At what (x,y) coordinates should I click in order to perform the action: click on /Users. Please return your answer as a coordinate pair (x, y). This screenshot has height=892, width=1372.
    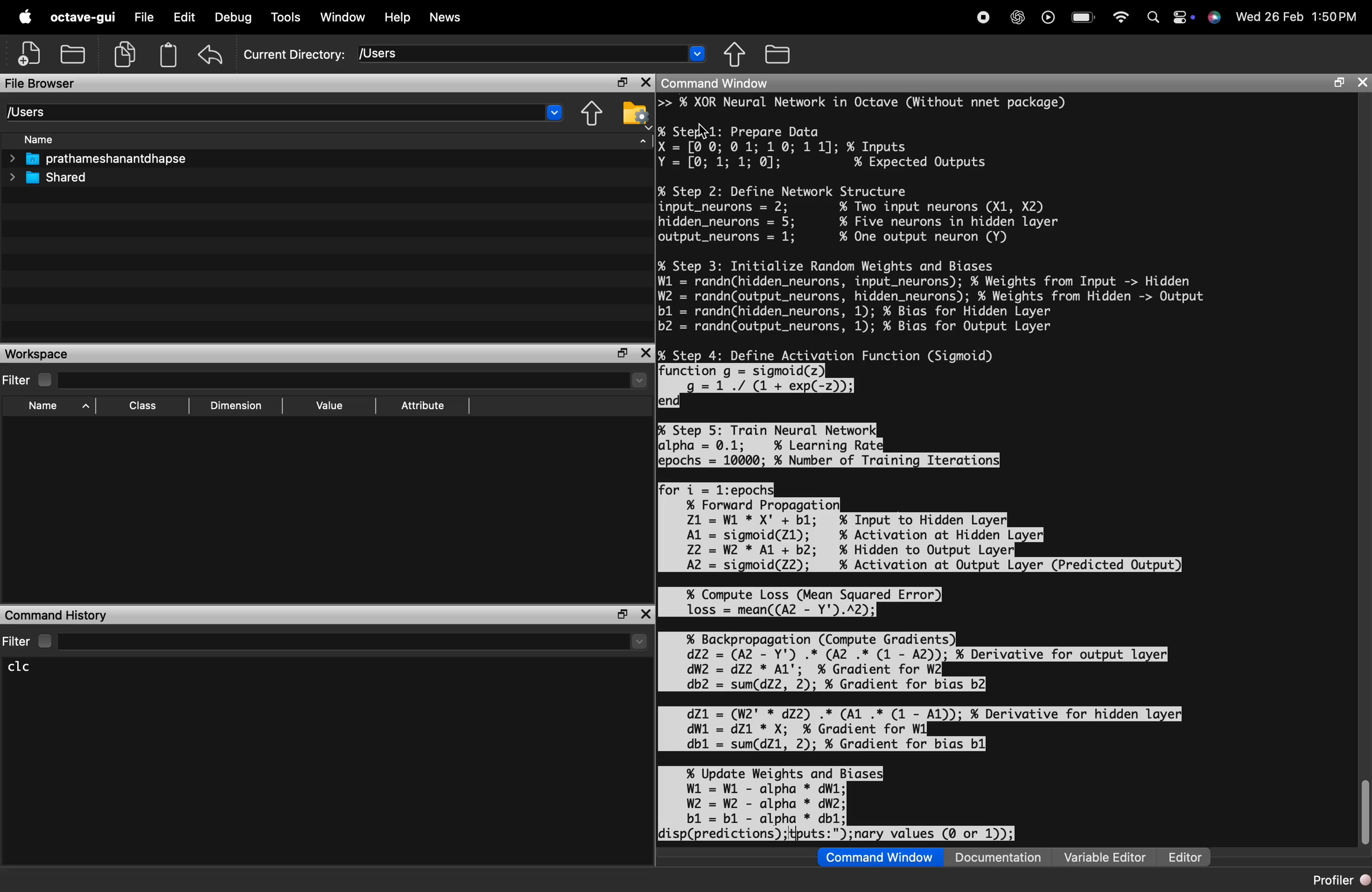
    Looking at the image, I should click on (532, 53).